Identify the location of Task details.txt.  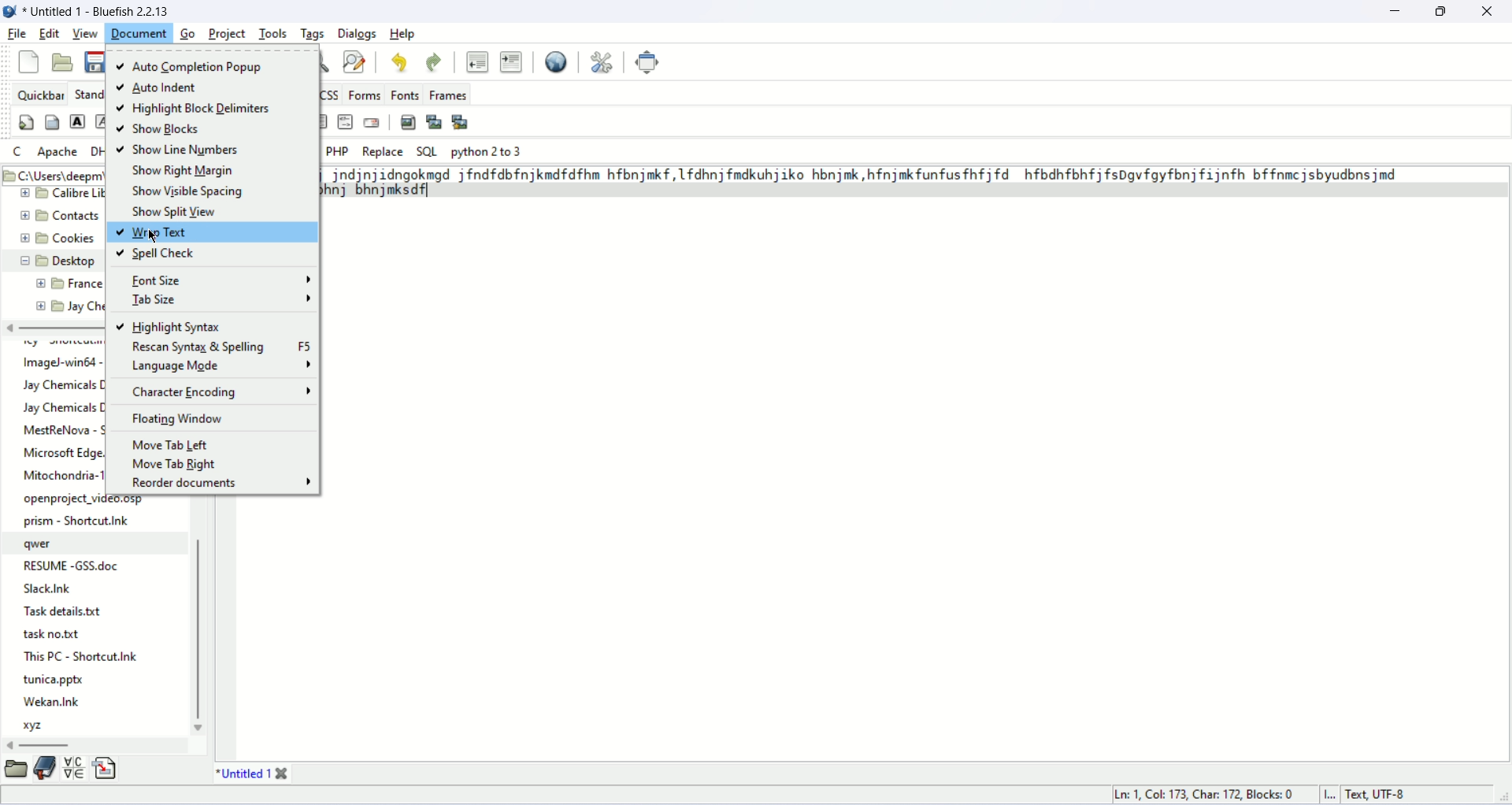
(61, 610).